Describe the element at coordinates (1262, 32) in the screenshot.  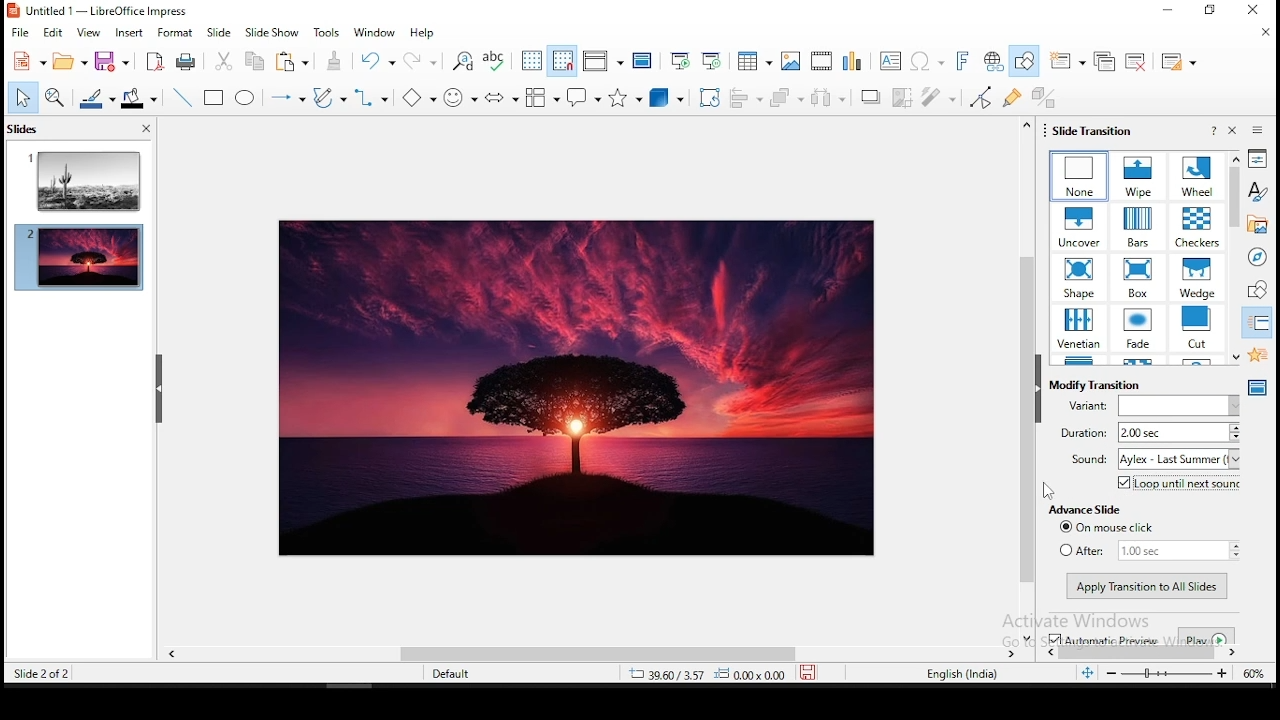
I see `close` at that location.